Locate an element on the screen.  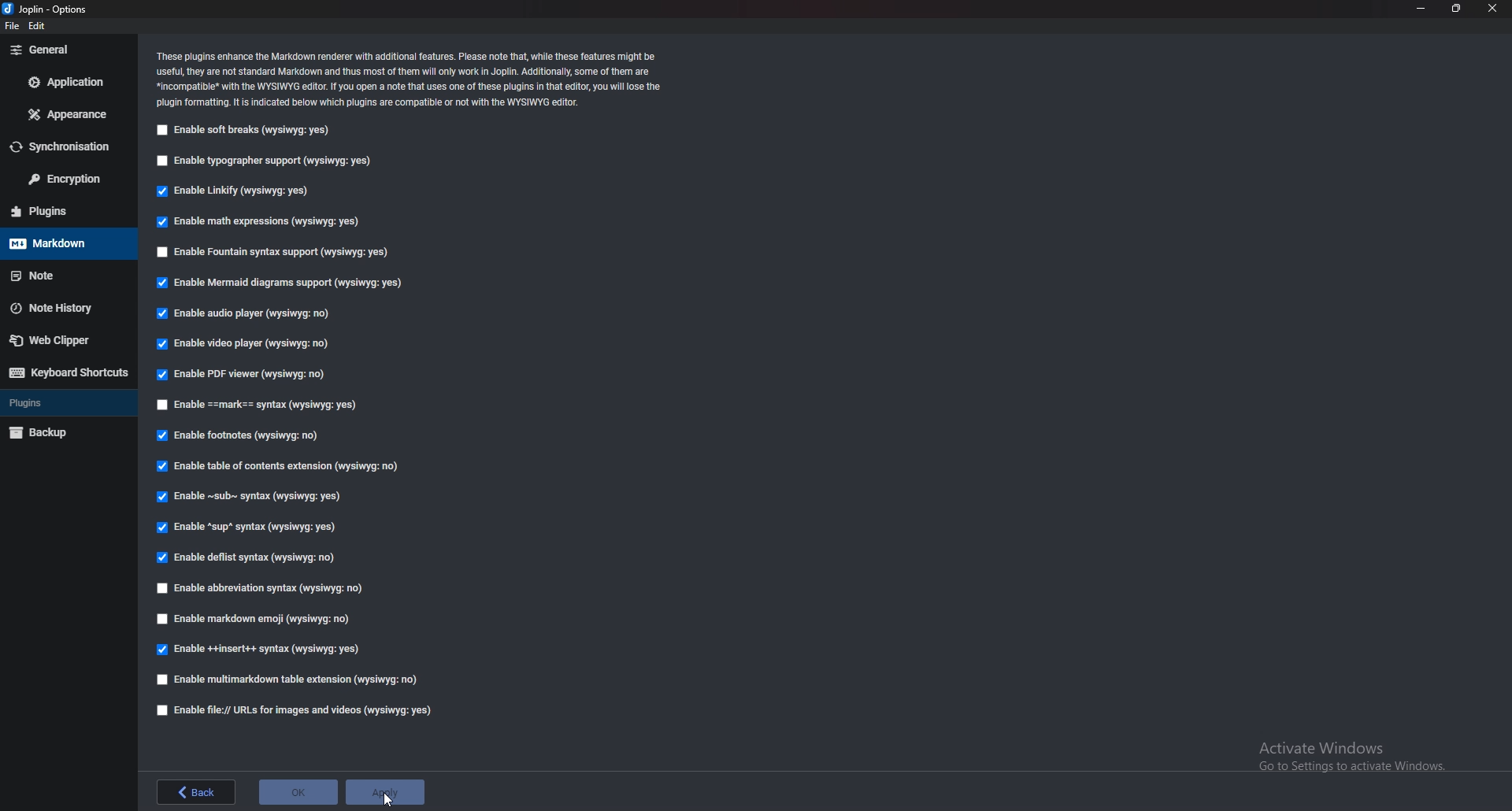
Enable linkify is located at coordinates (232, 191).